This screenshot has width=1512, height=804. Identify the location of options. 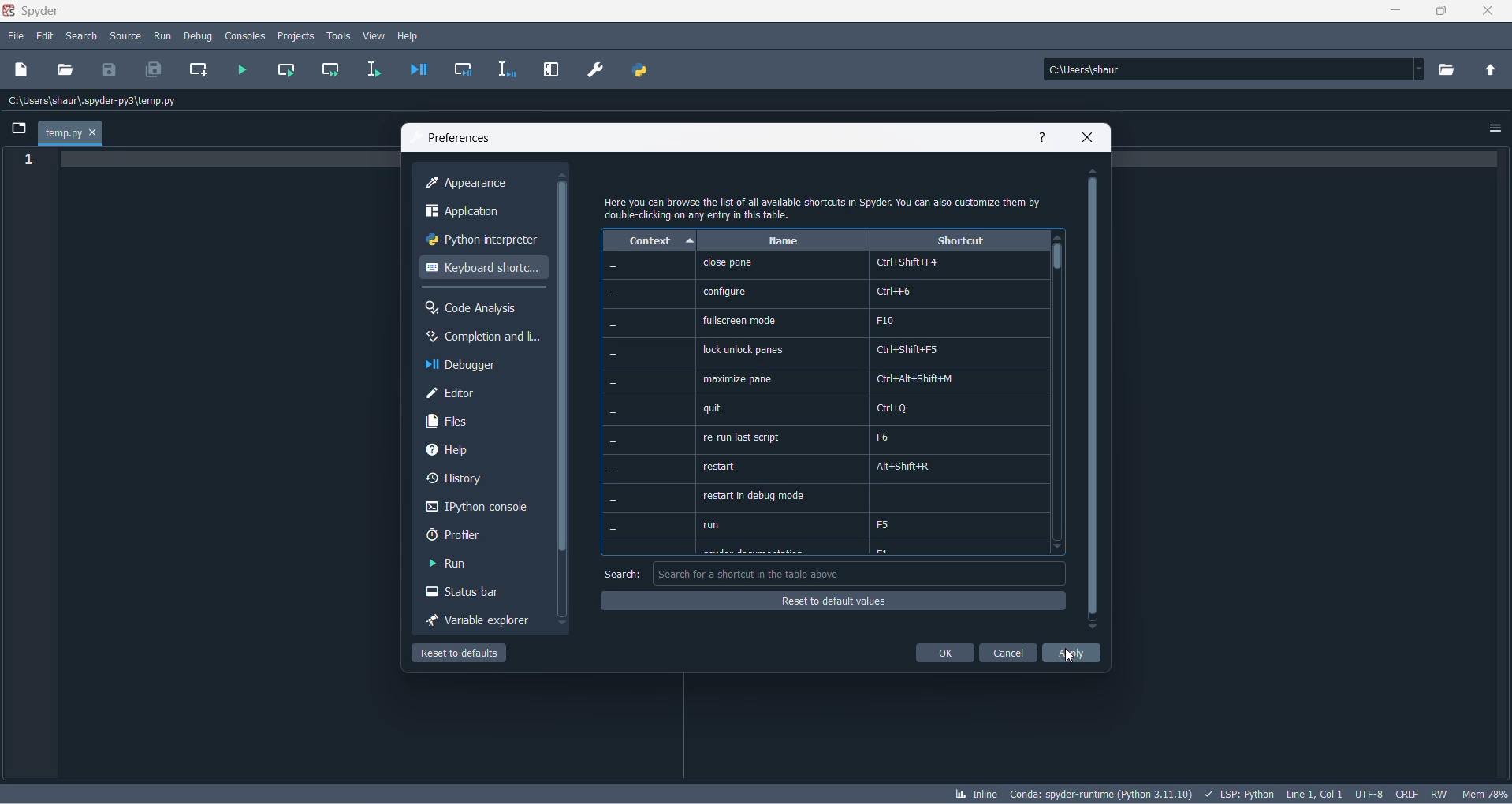
(1496, 125).